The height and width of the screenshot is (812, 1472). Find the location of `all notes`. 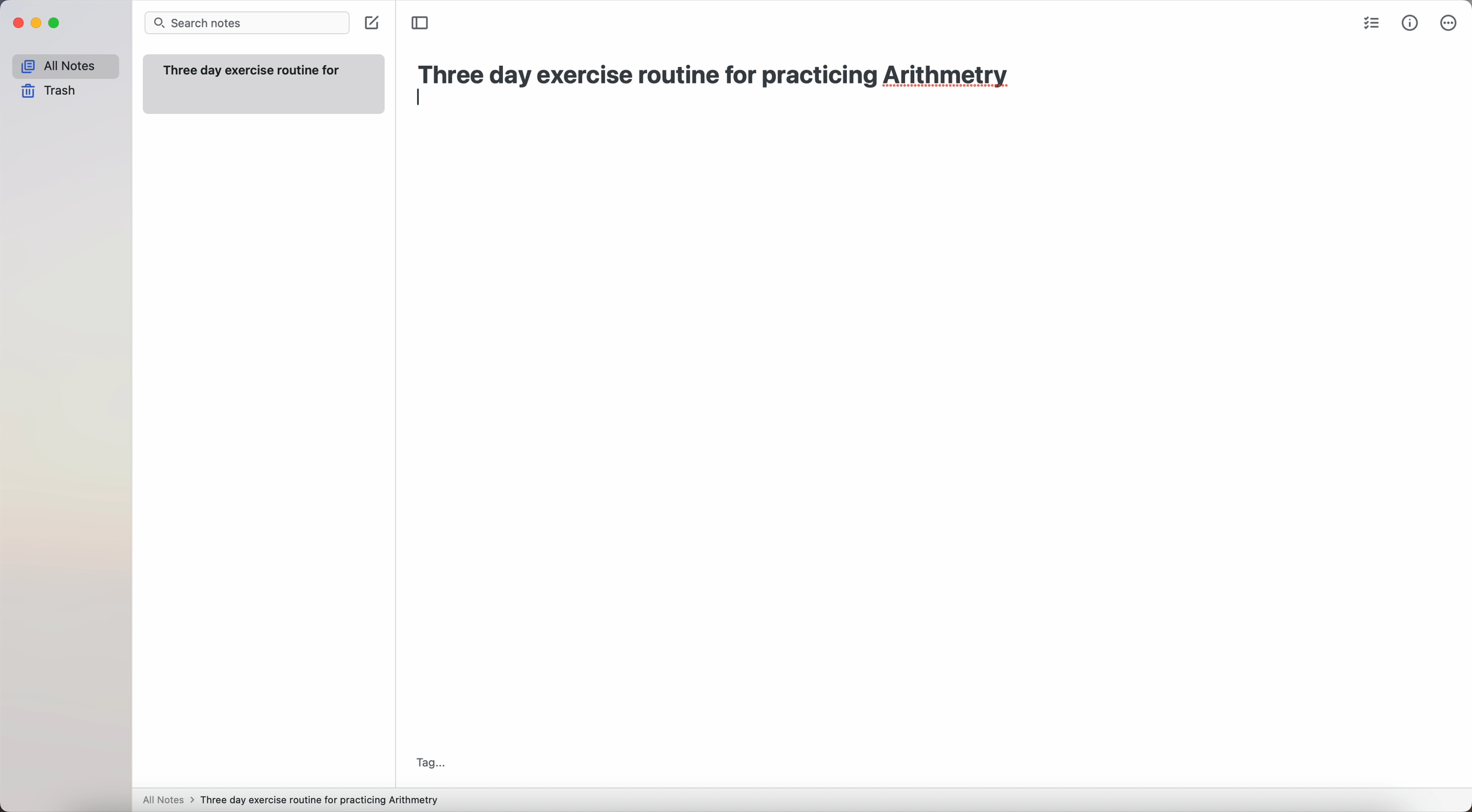

all notes is located at coordinates (169, 799).